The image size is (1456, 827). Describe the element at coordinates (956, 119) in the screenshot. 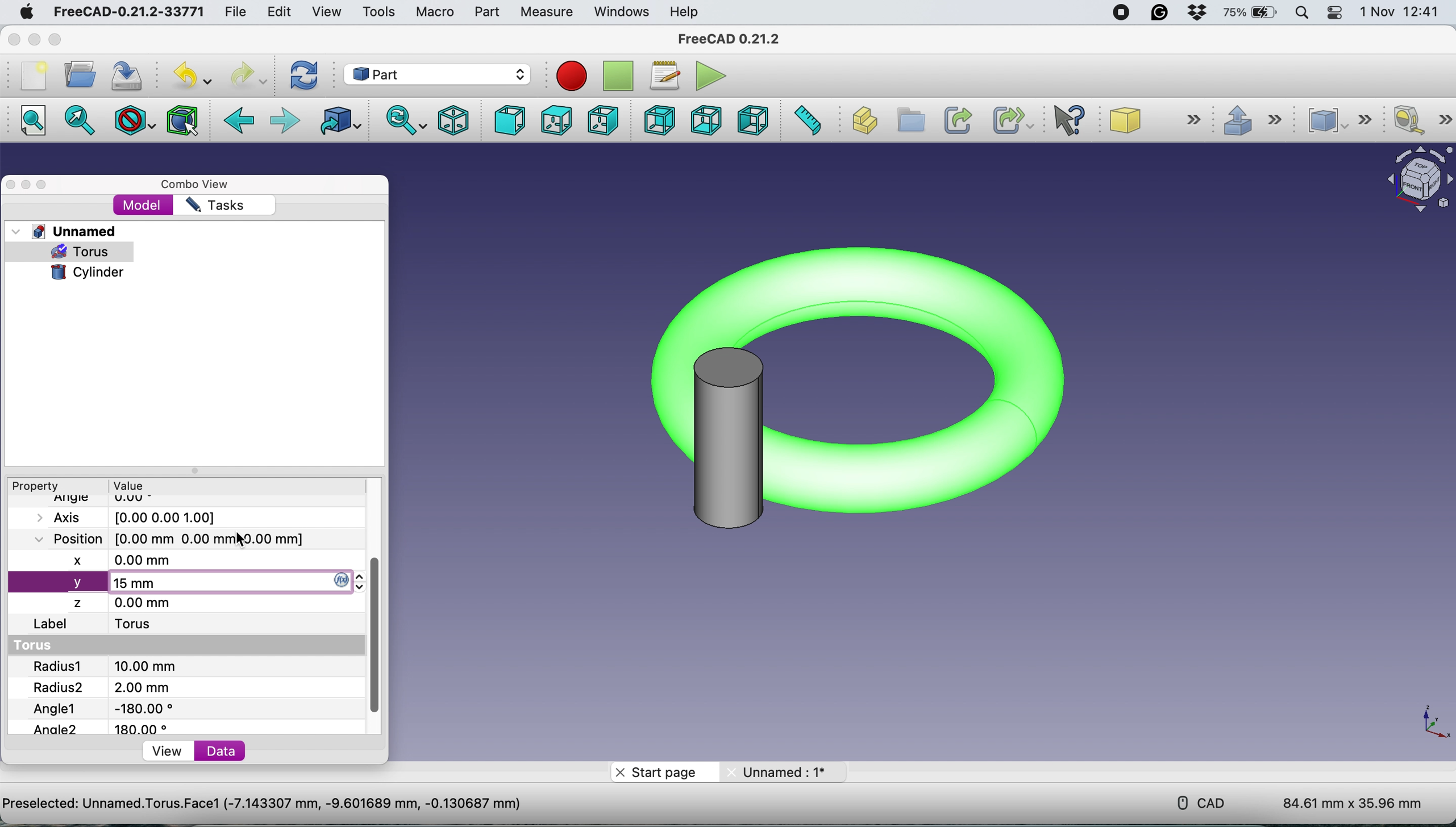

I see `create link` at that location.